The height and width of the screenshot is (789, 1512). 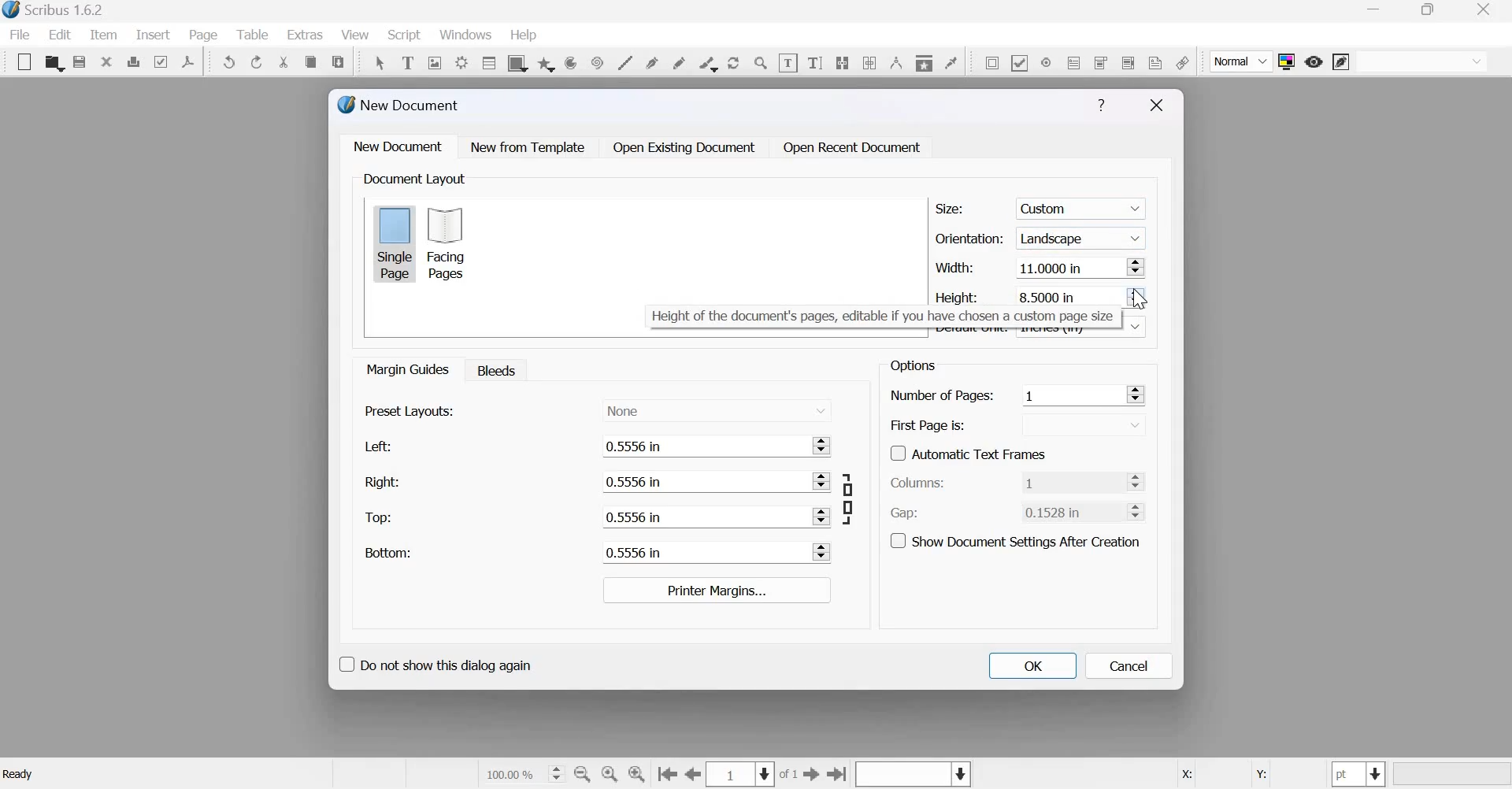 What do you see at coordinates (928, 424) in the screenshot?
I see `First Page is:` at bounding box center [928, 424].